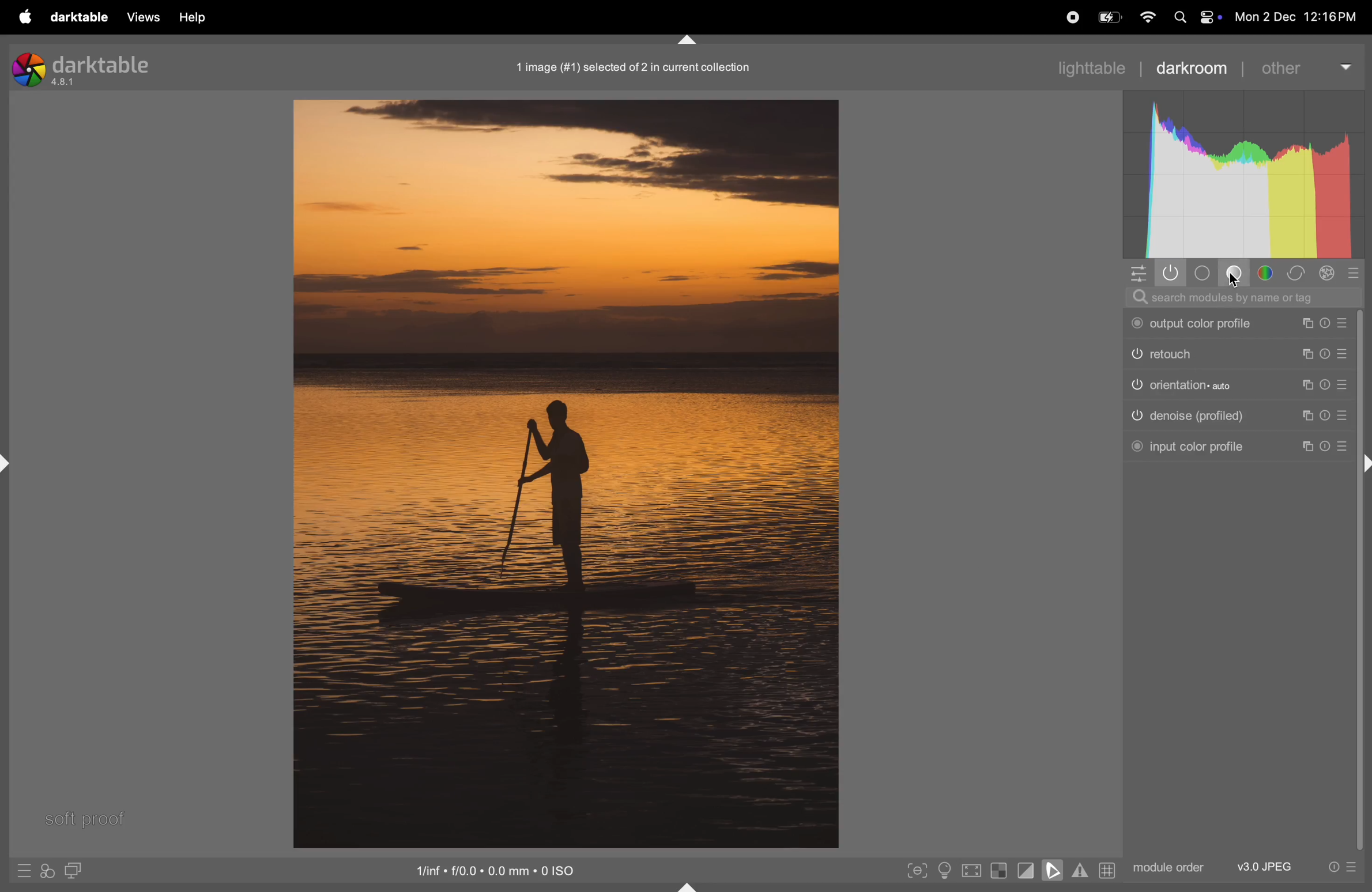  What do you see at coordinates (1243, 175) in the screenshot?
I see `histogram` at bounding box center [1243, 175].